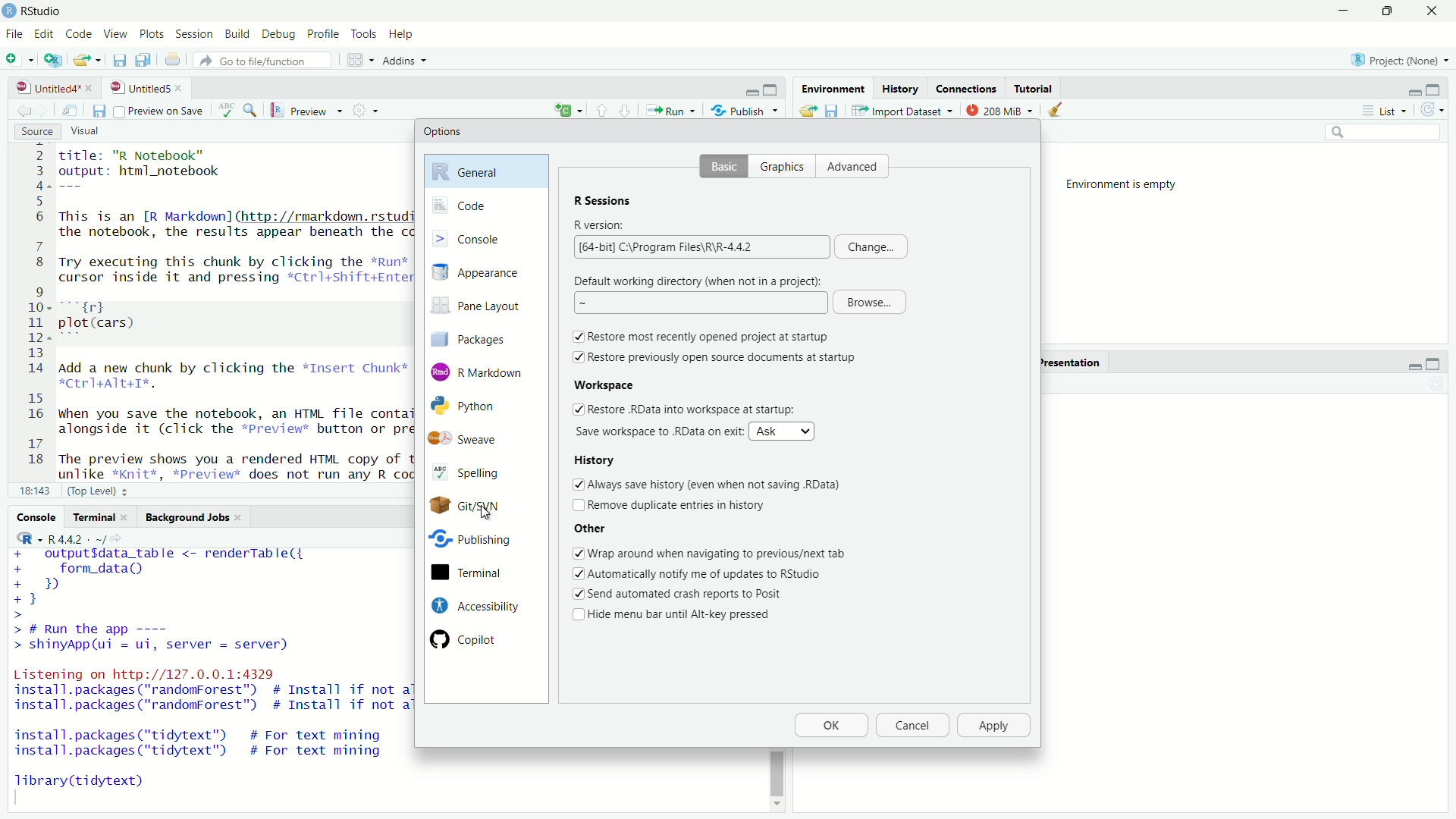  I want to click on Toys, so click(363, 35).